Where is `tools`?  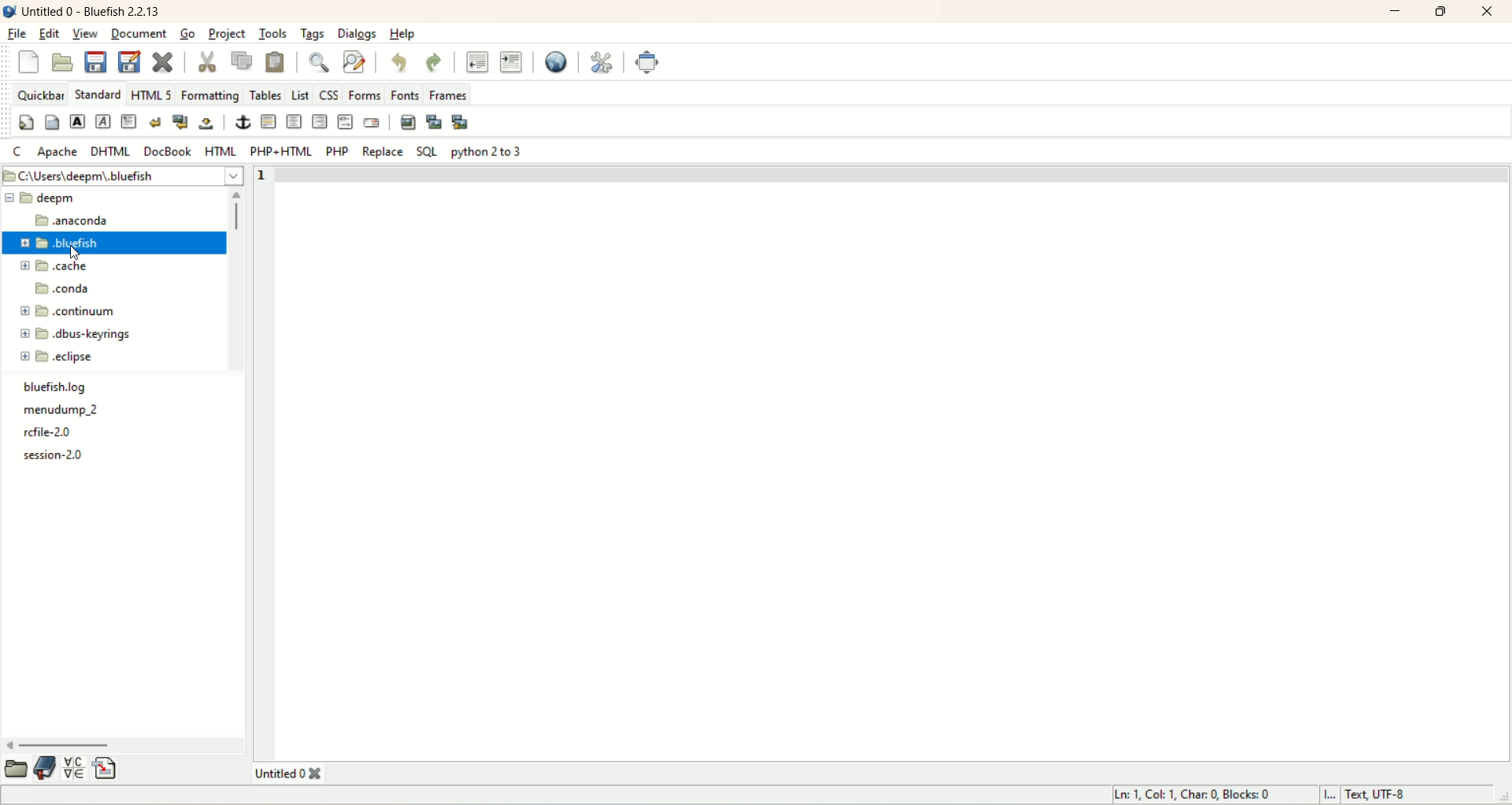 tools is located at coordinates (272, 35).